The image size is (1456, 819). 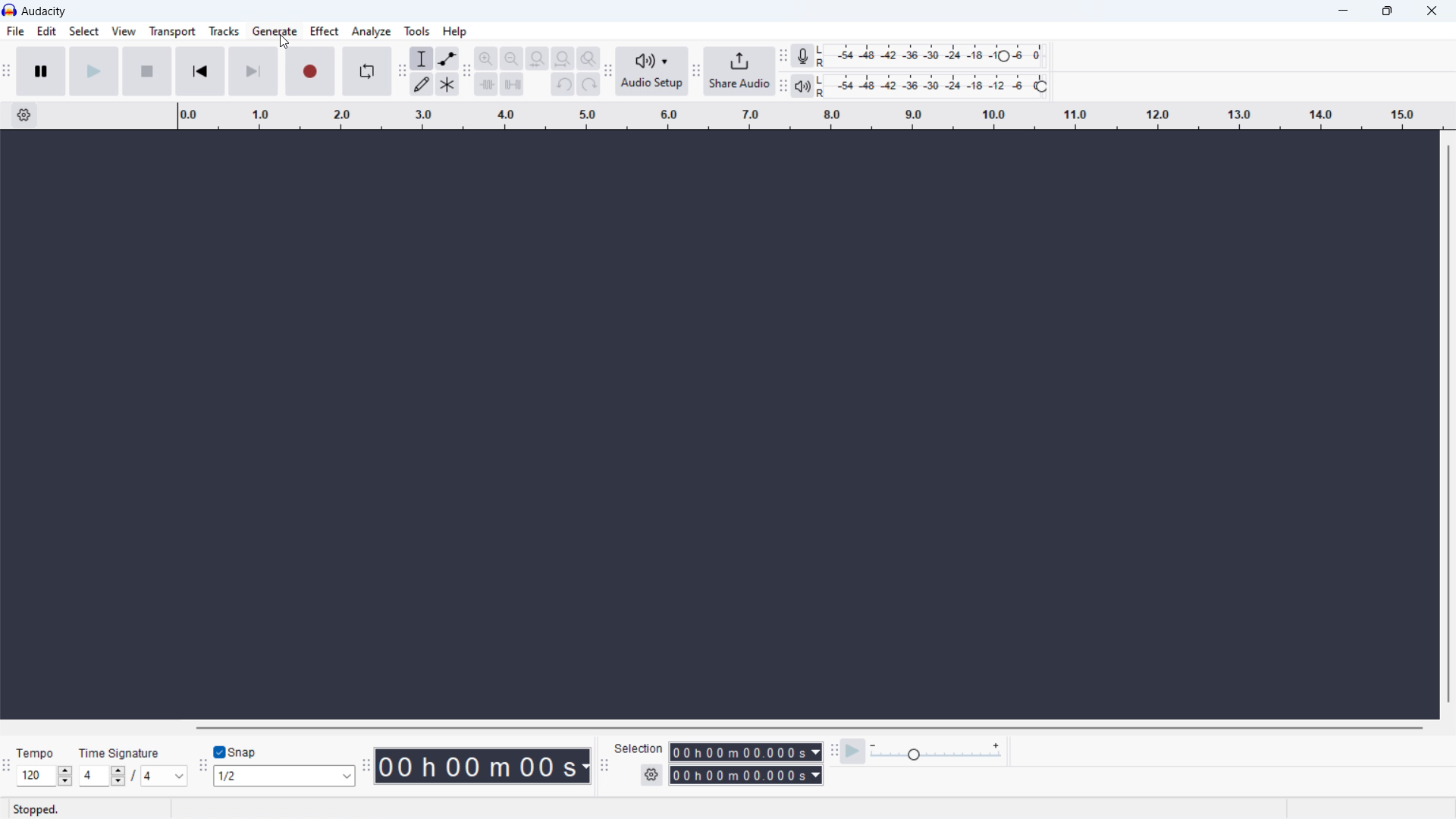 What do you see at coordinates (418, 30) in the screenshot?
I see `tools` at bounding box center [418, 30].